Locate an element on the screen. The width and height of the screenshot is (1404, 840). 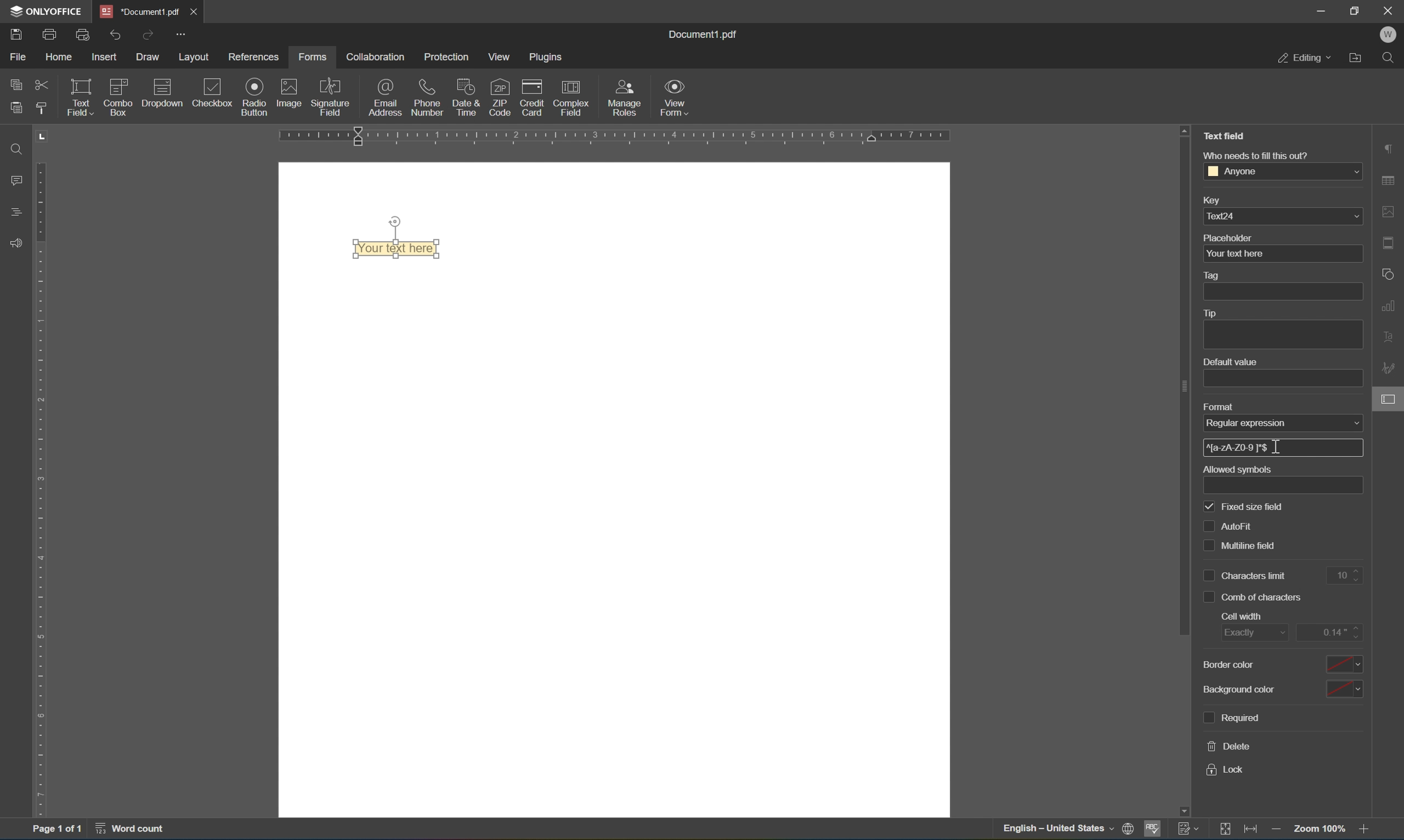
header and footer settings is located at coordinates (1392, 242).